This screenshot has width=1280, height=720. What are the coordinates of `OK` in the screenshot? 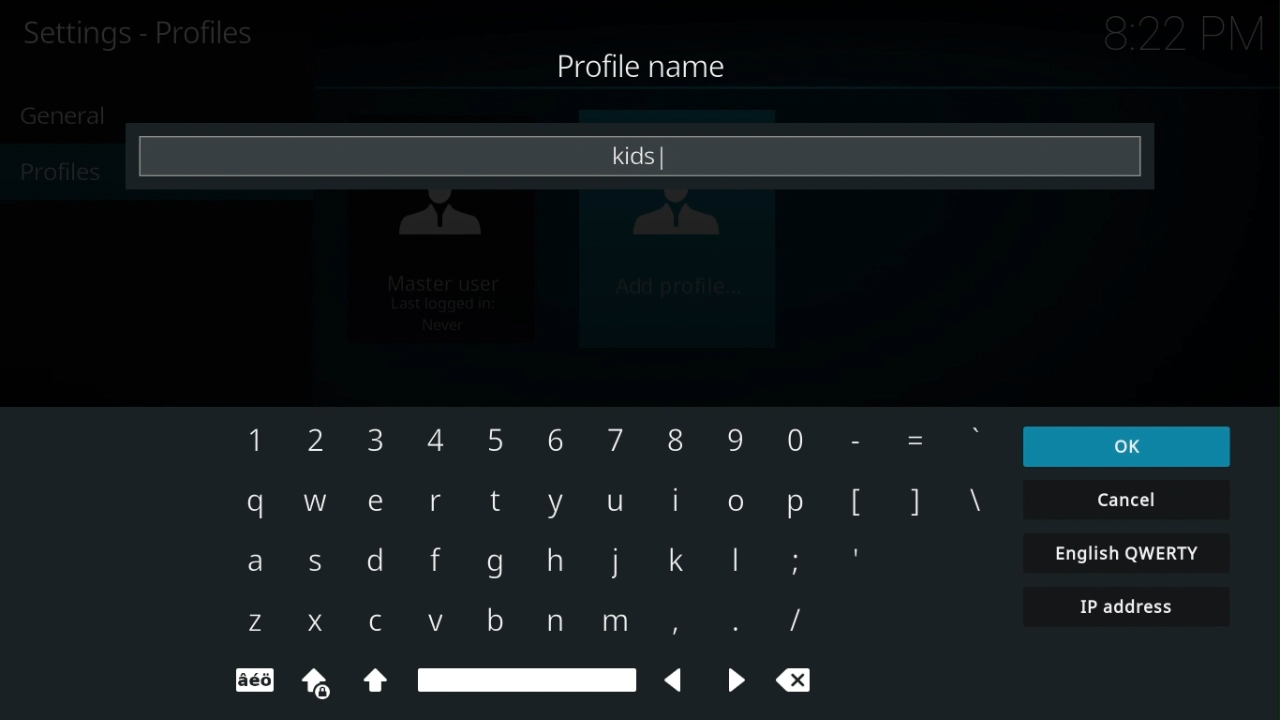 It's located at (1128, 446).